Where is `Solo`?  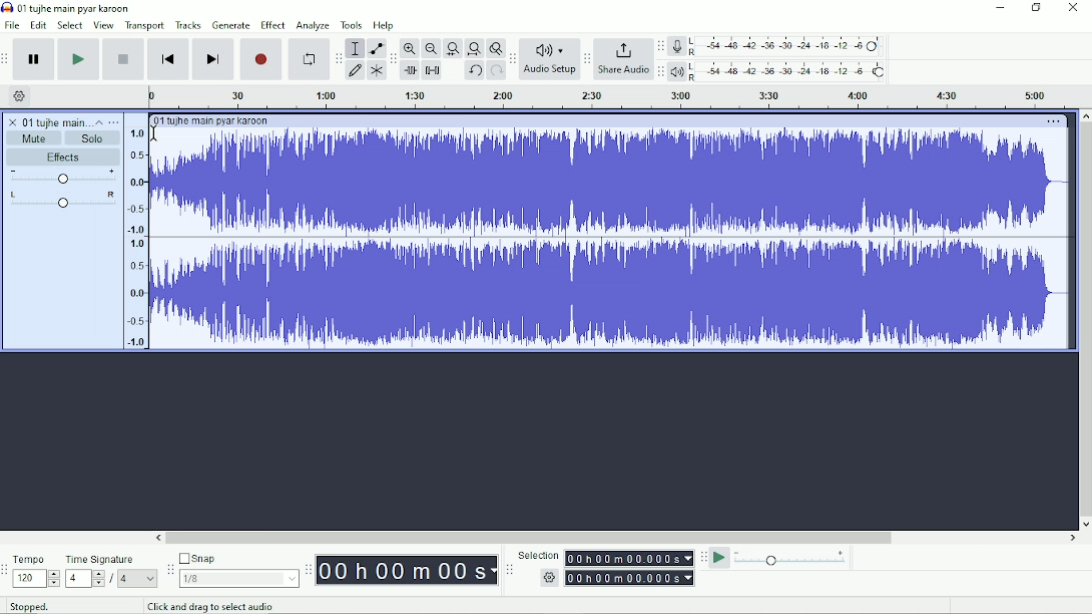
Solo is located at coordinates (94, 139).